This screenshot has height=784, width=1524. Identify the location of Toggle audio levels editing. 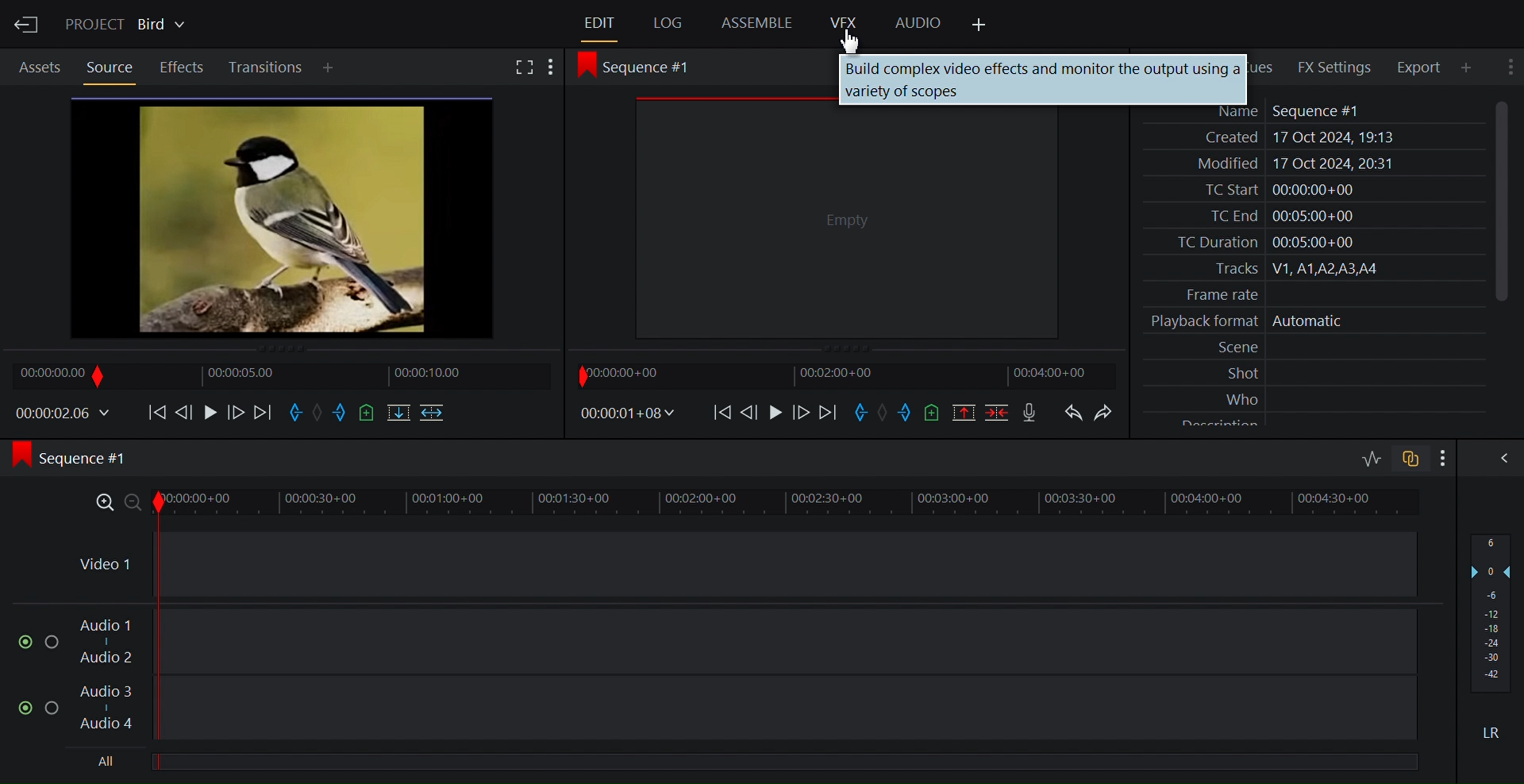
(1370, 458).